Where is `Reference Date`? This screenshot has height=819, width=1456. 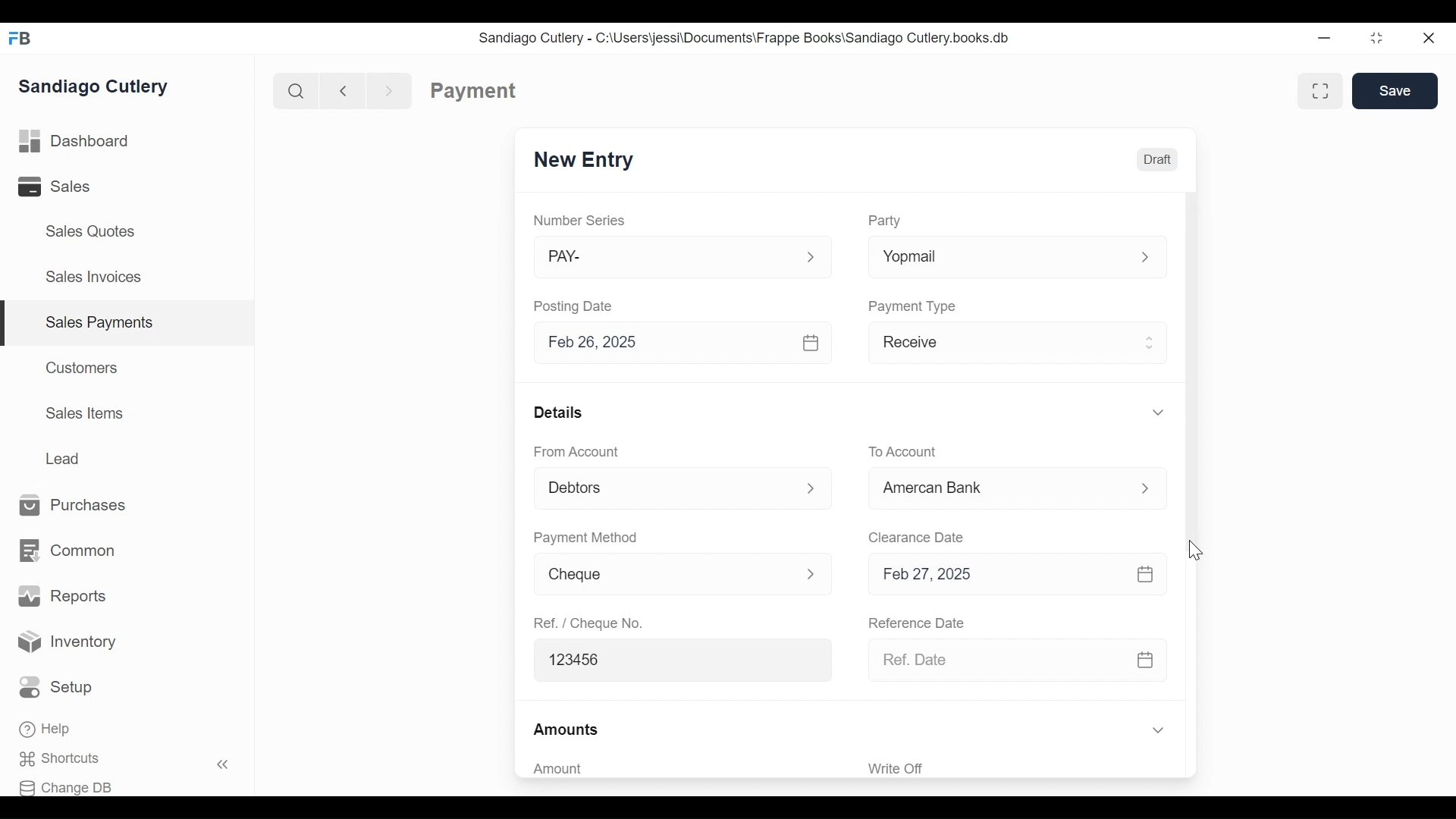 Reference Date is located at coordinates (915, 621).